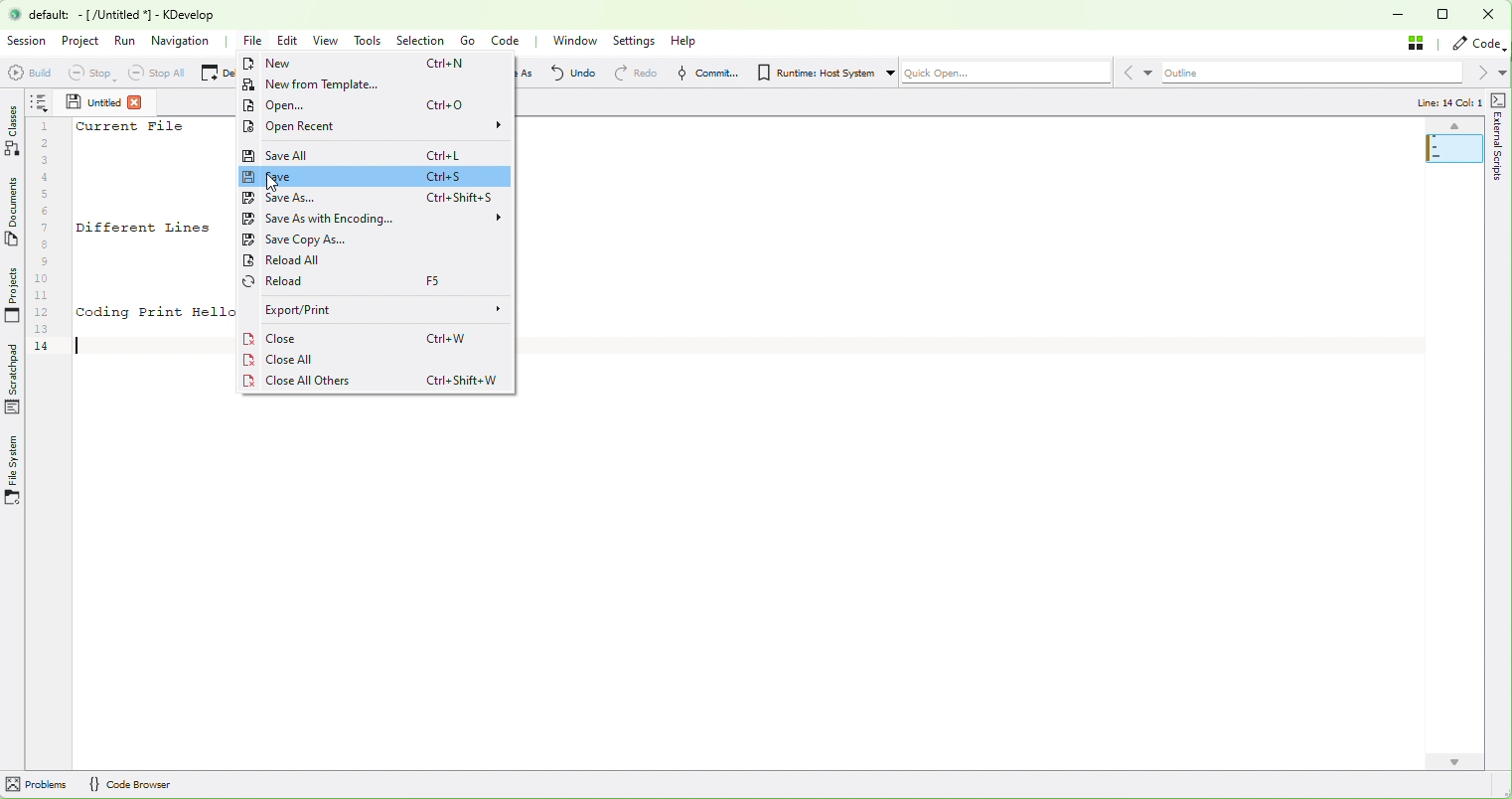 Image resolution: width=1512 pixels, height=799 pixels. What do you see at coordinates (318, 240) in the screenshot?
I see `Save copy as` at bounding box center [318, 240].